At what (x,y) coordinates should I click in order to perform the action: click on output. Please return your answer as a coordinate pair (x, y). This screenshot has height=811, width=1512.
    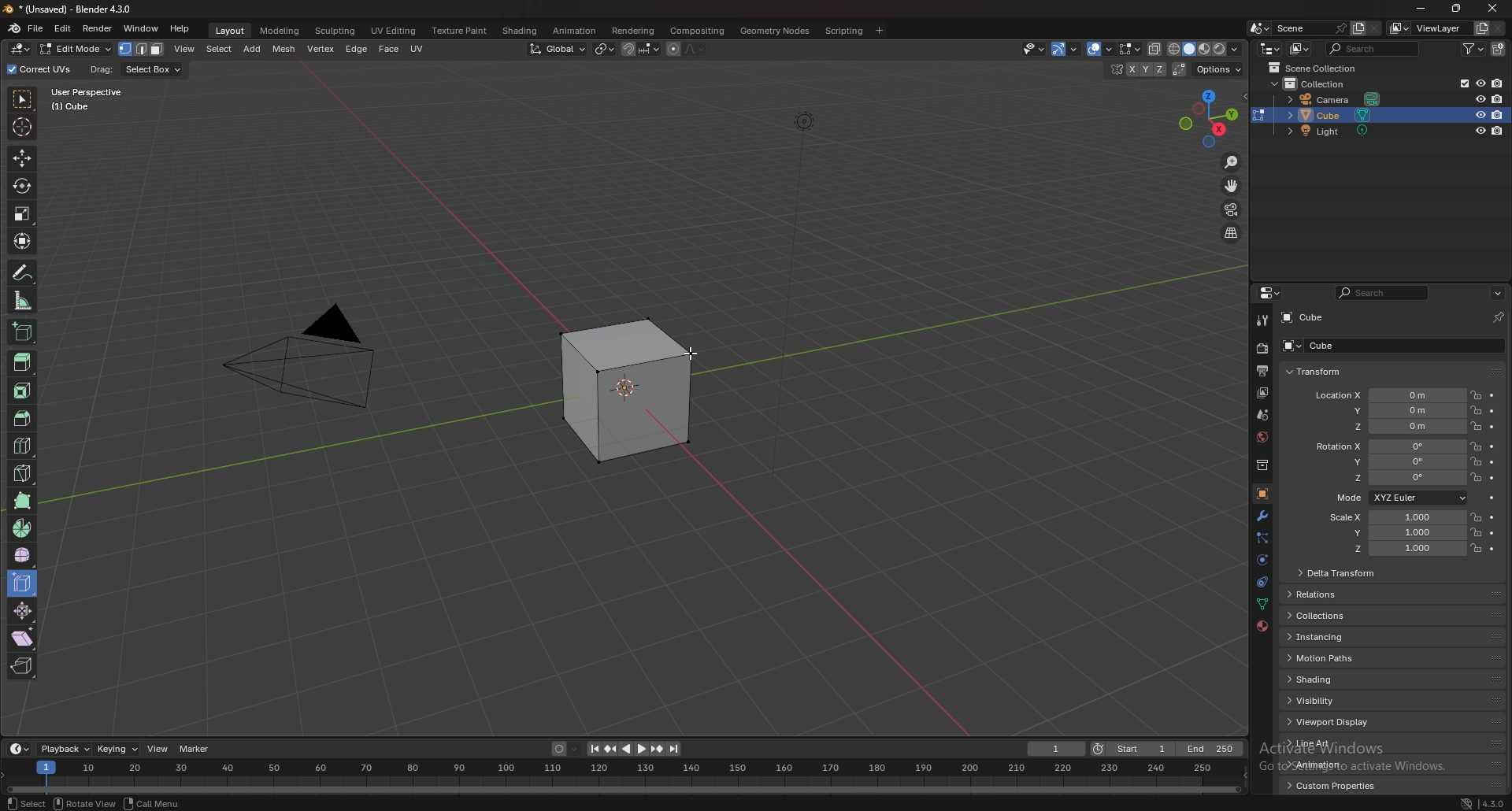
    Looking at the image, I should click on (1259, 371).